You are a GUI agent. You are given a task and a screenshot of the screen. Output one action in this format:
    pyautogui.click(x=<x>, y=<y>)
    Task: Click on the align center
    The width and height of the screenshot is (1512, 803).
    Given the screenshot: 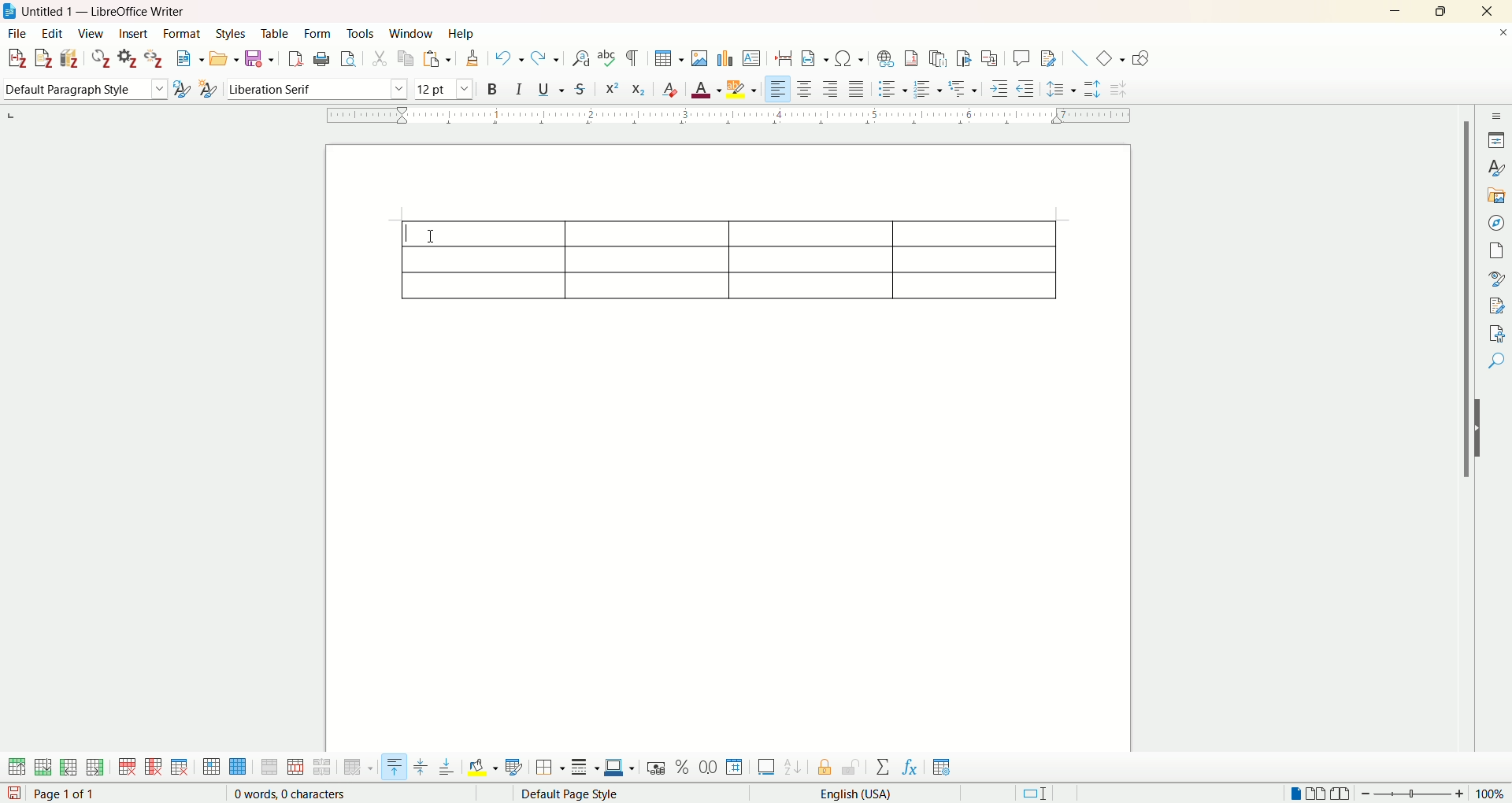 What is the action you would take?
    pyautogui.click(x=804, y=89)
    